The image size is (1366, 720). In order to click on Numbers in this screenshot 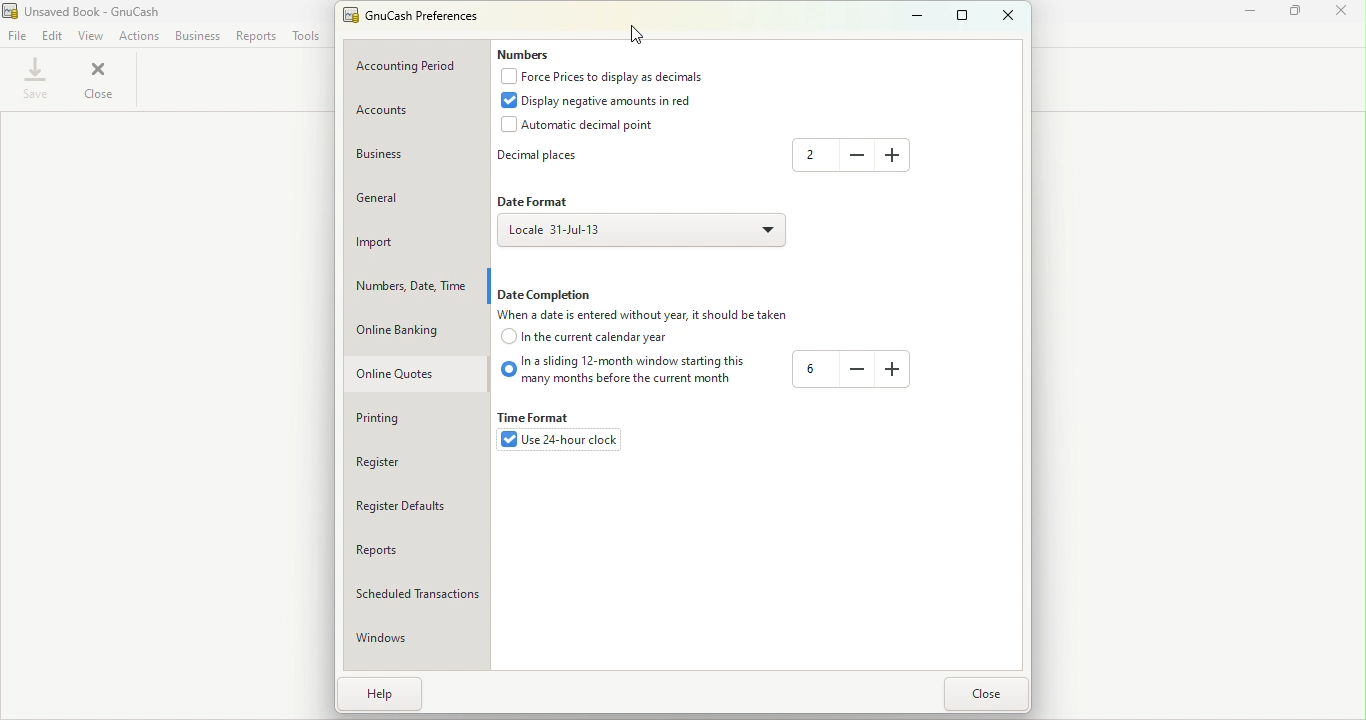, I will do `click(420, 285)`.